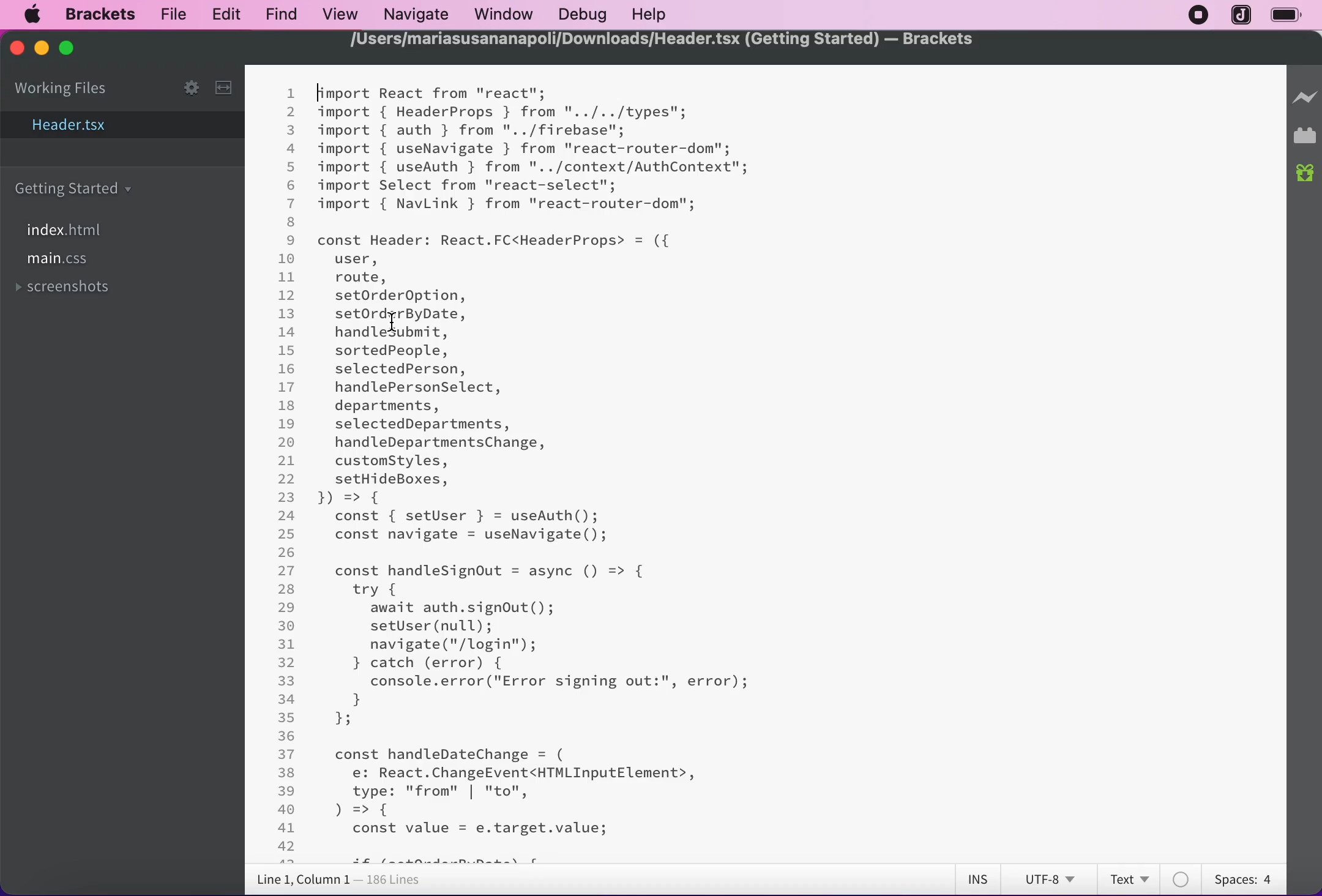  I want to click on new builds of brackets, so click(1306, 174).